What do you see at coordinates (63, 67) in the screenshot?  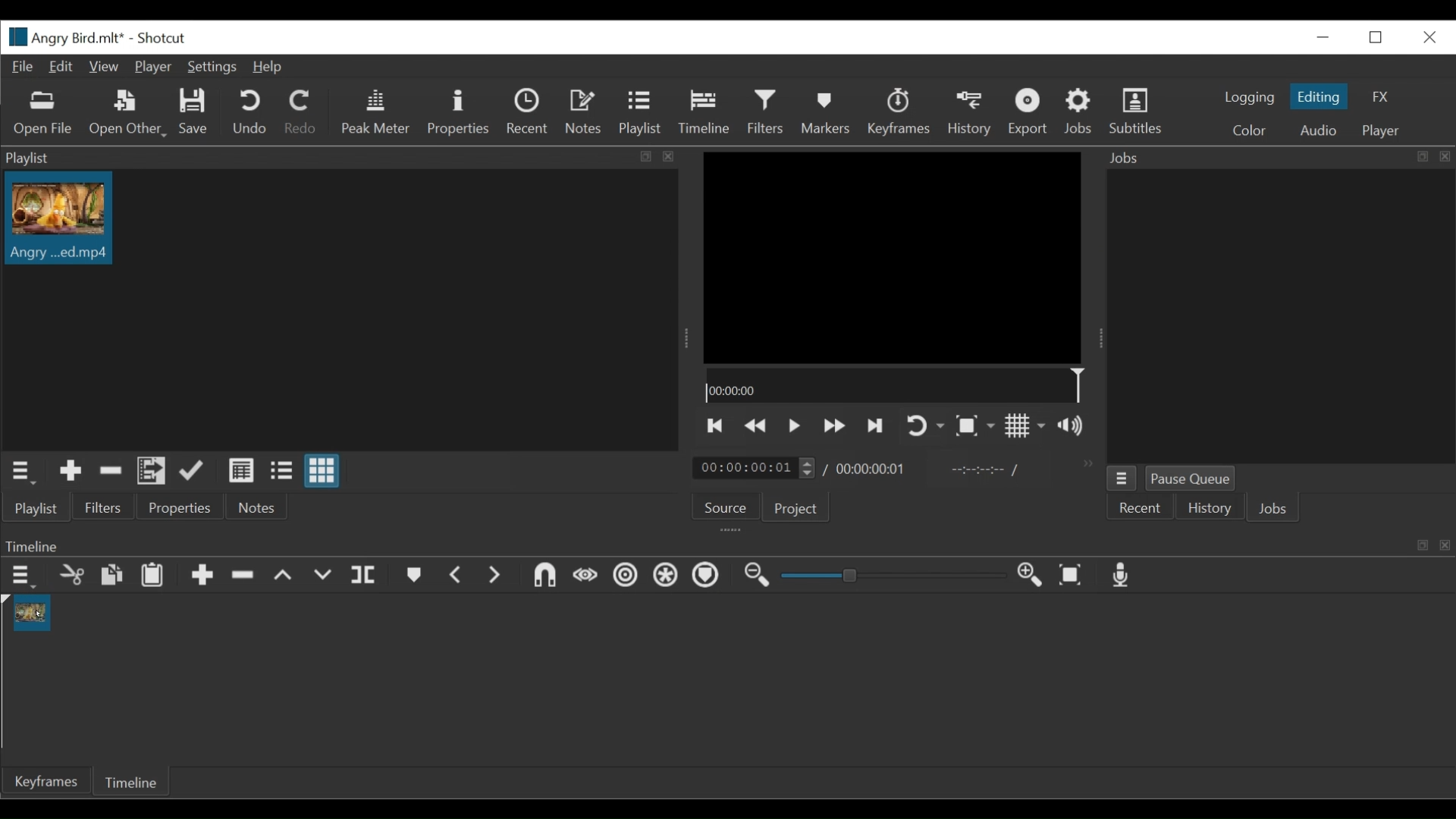 I see `Edit` at bounding box center [63, 67].